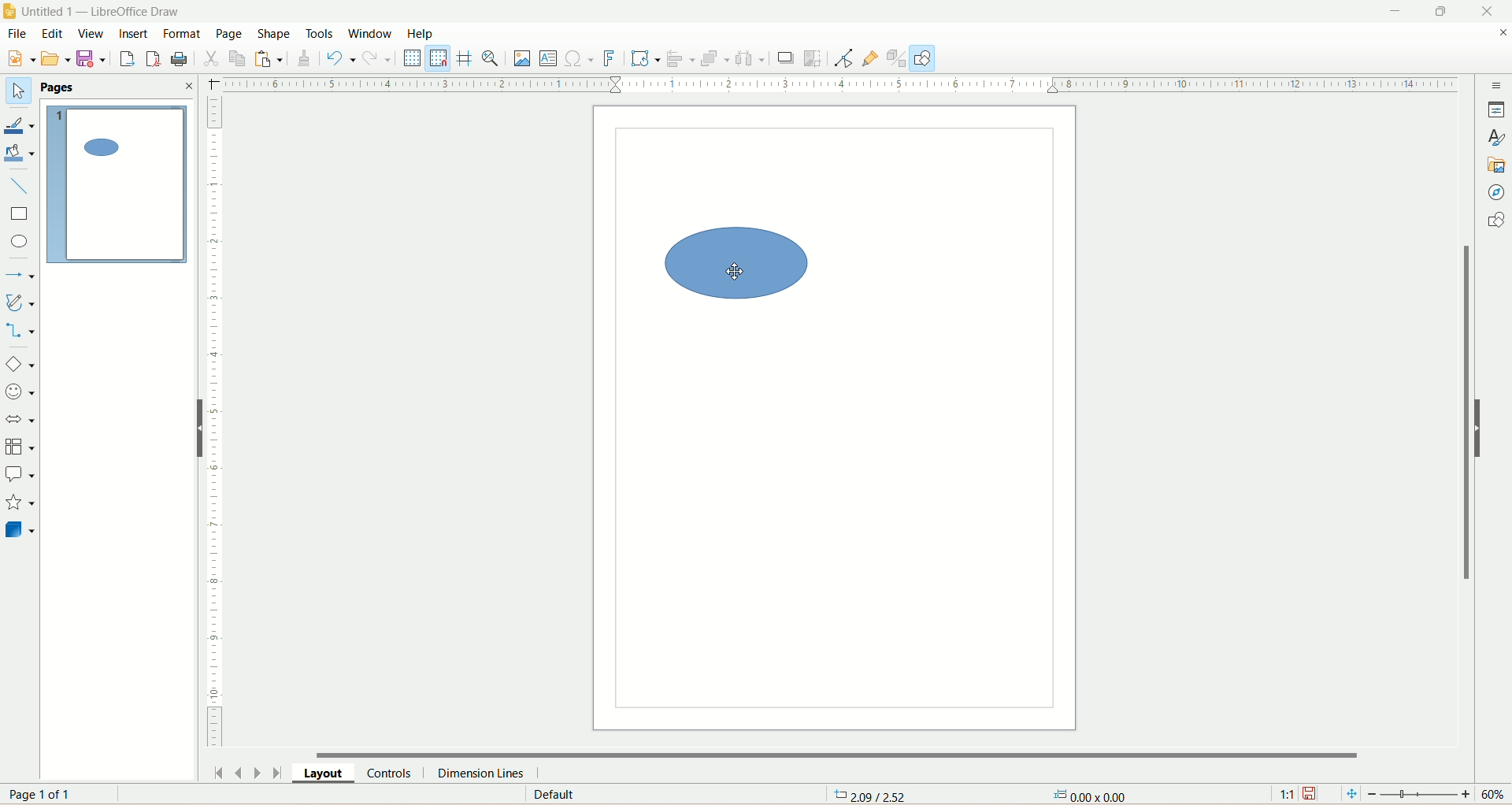 Image resolution: width=1512 pixels, height=805 pixels. I want to click on page 1, so click(117, 183).